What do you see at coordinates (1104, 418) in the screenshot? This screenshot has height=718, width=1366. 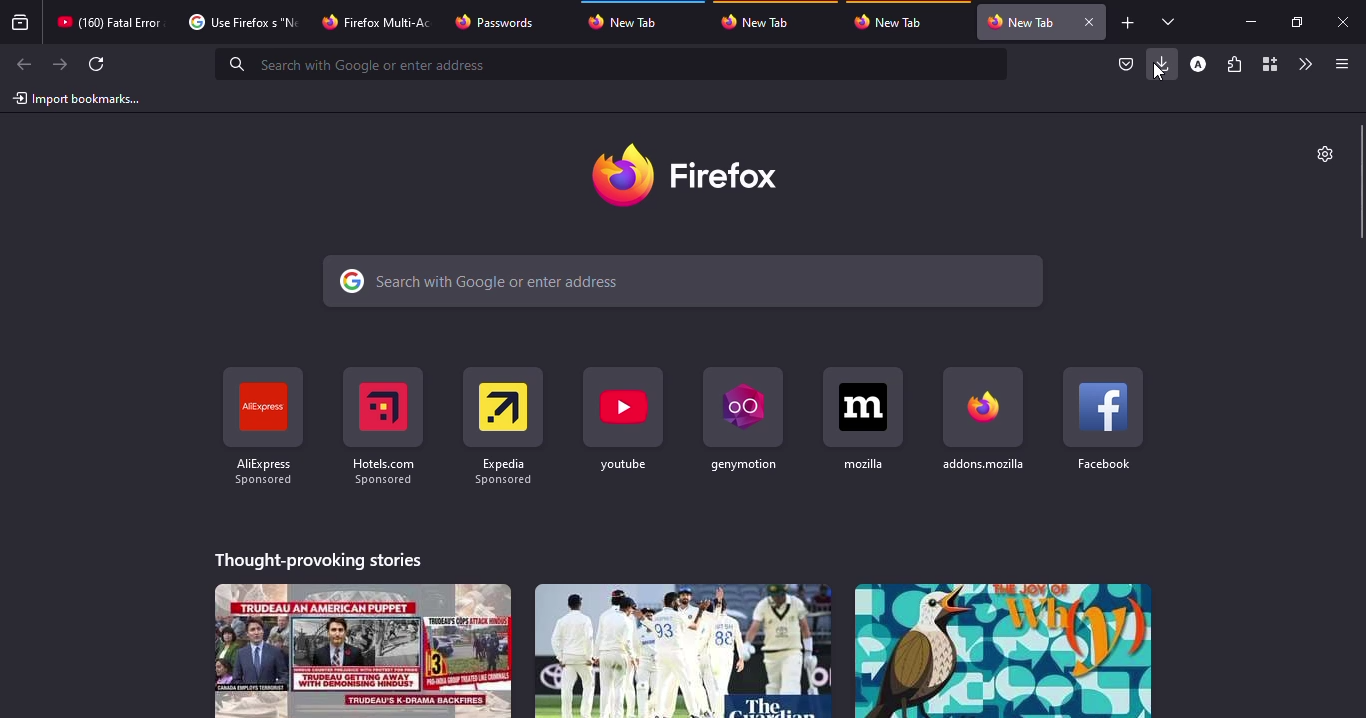 I see `shortcut` at bounding box center [1104, 418].